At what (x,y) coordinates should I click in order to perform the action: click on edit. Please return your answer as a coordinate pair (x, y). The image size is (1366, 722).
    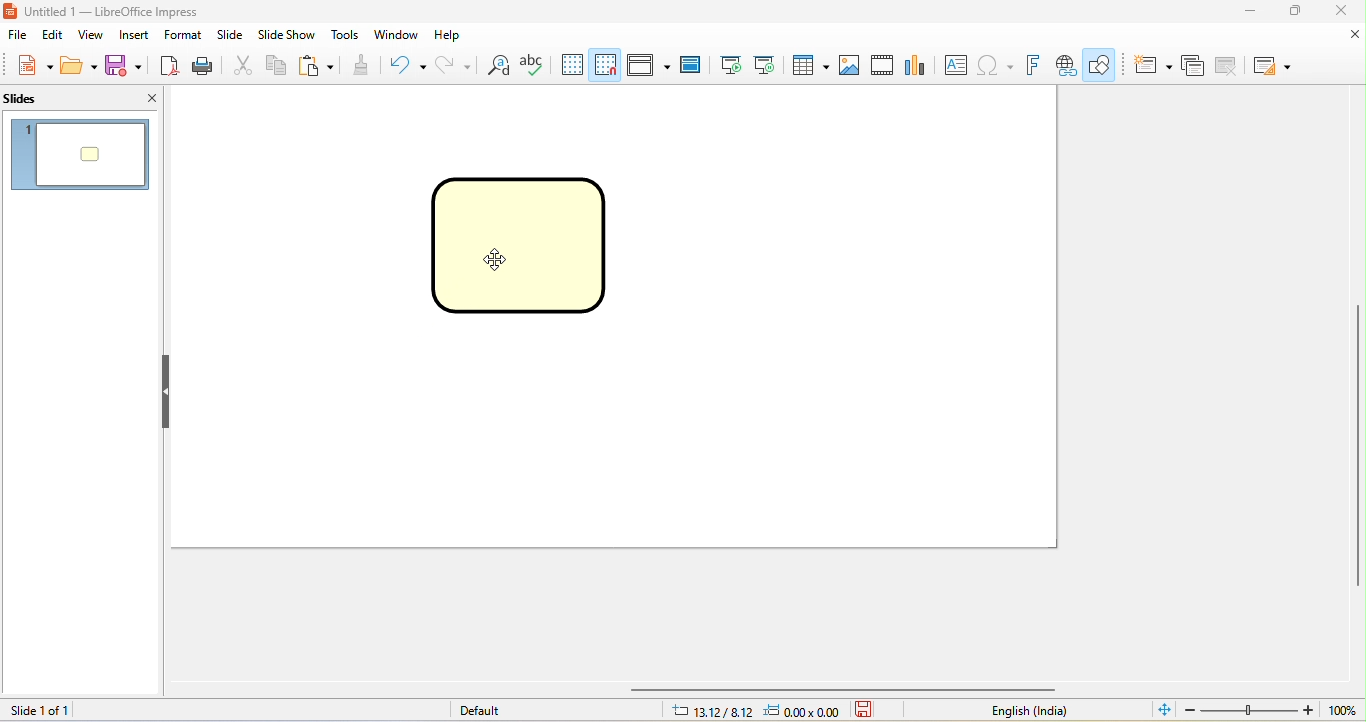
    Looking at the image, I should click on (54, 34).